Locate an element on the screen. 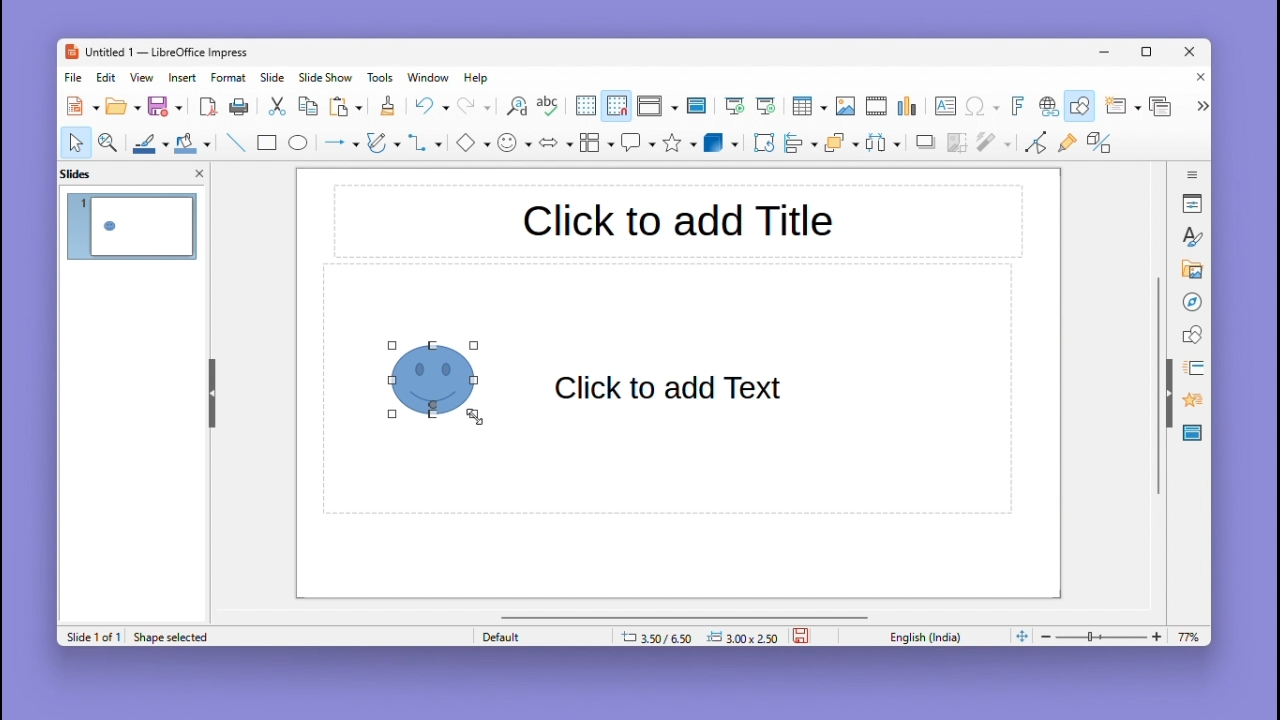 This screenshot has height=720, width=1280. Double arrow is located at coordinates (556, 141).